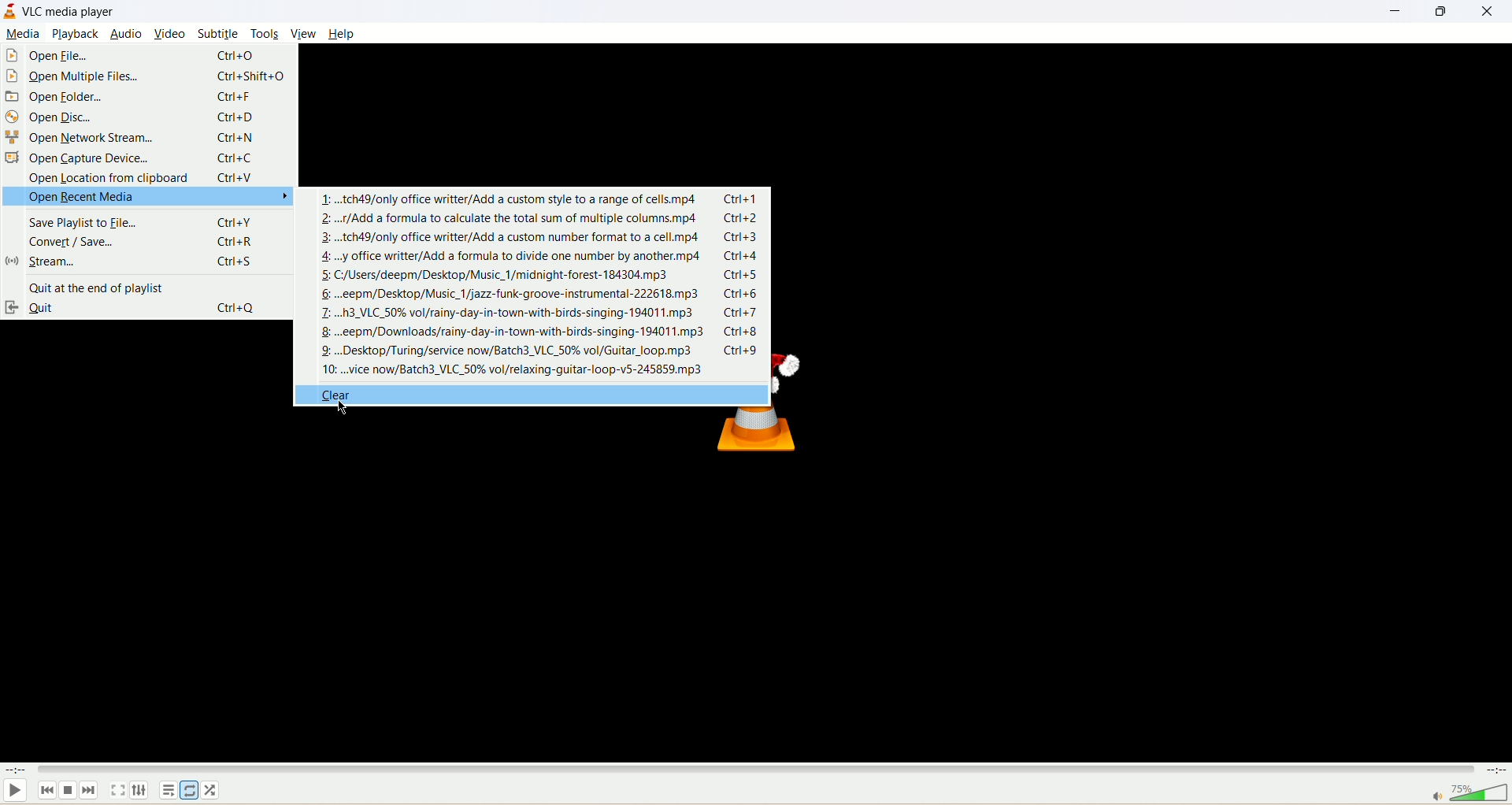 This screenshot has width=1512, height=805. I want to click on loop, so click(188, 789).